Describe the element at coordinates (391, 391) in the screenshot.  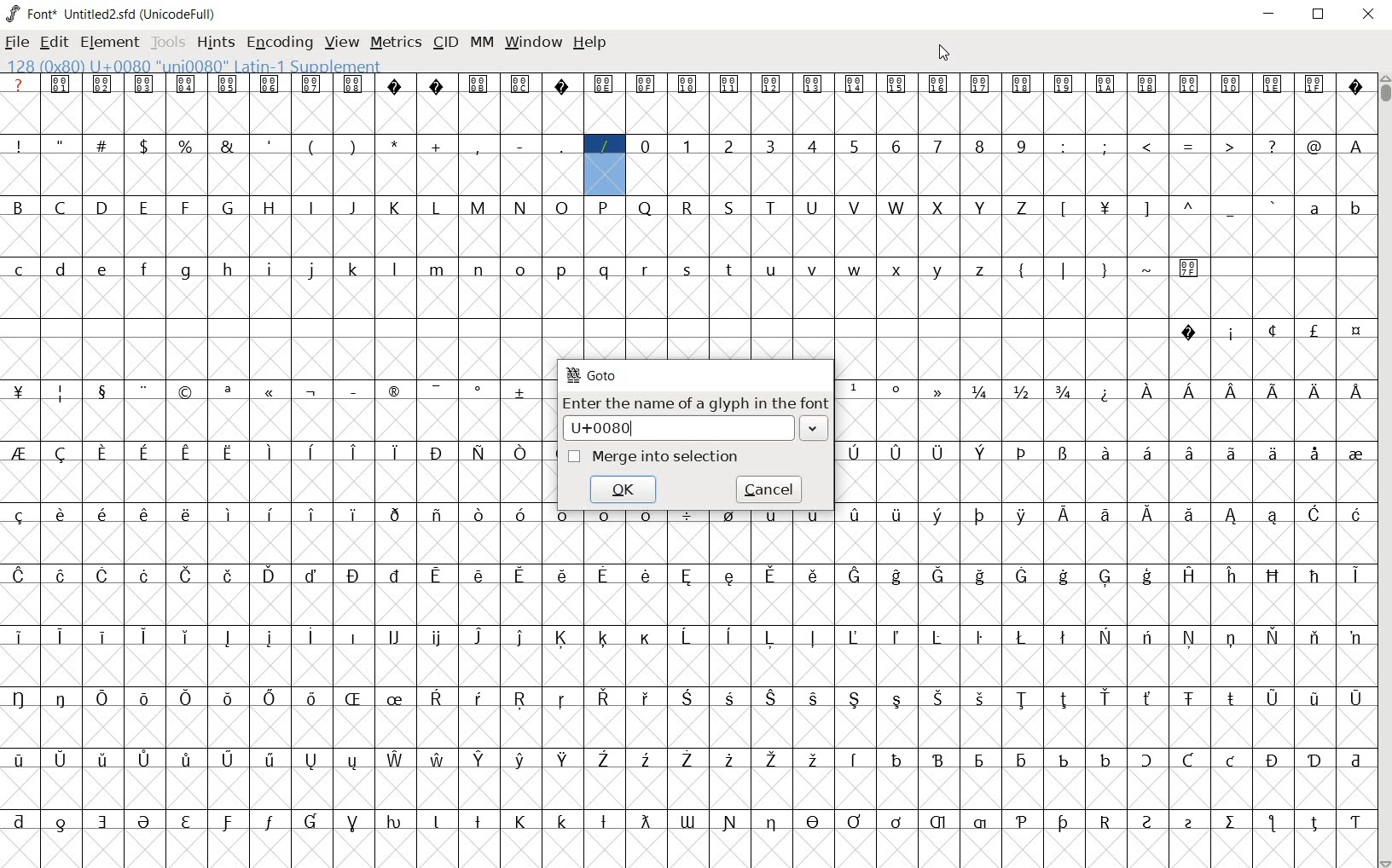
I see `glyph` at that location.